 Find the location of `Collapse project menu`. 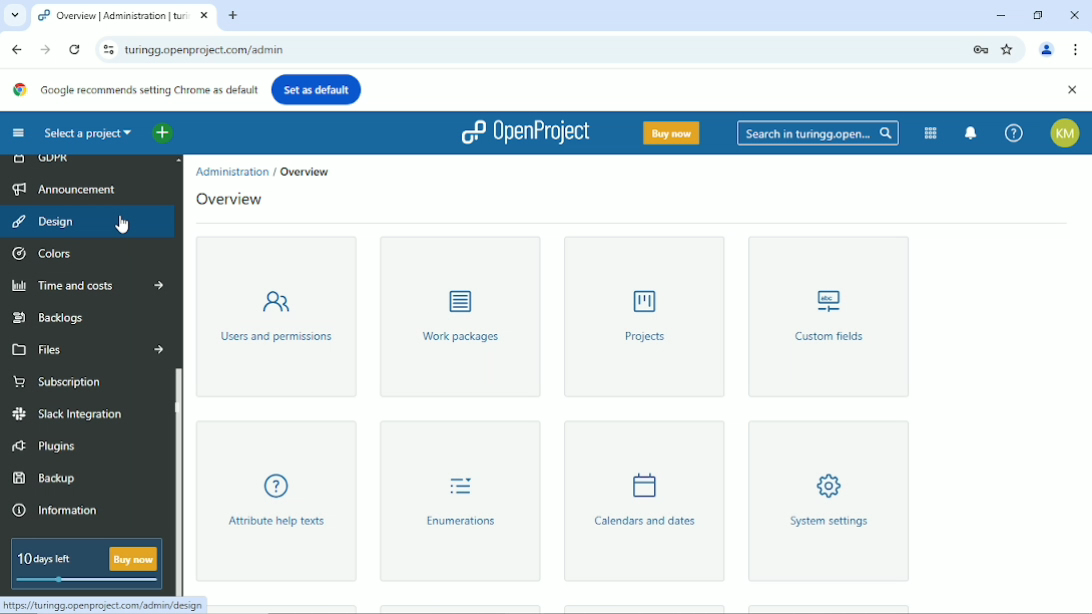

Collapse project menu is located at coordinates (18, 133).